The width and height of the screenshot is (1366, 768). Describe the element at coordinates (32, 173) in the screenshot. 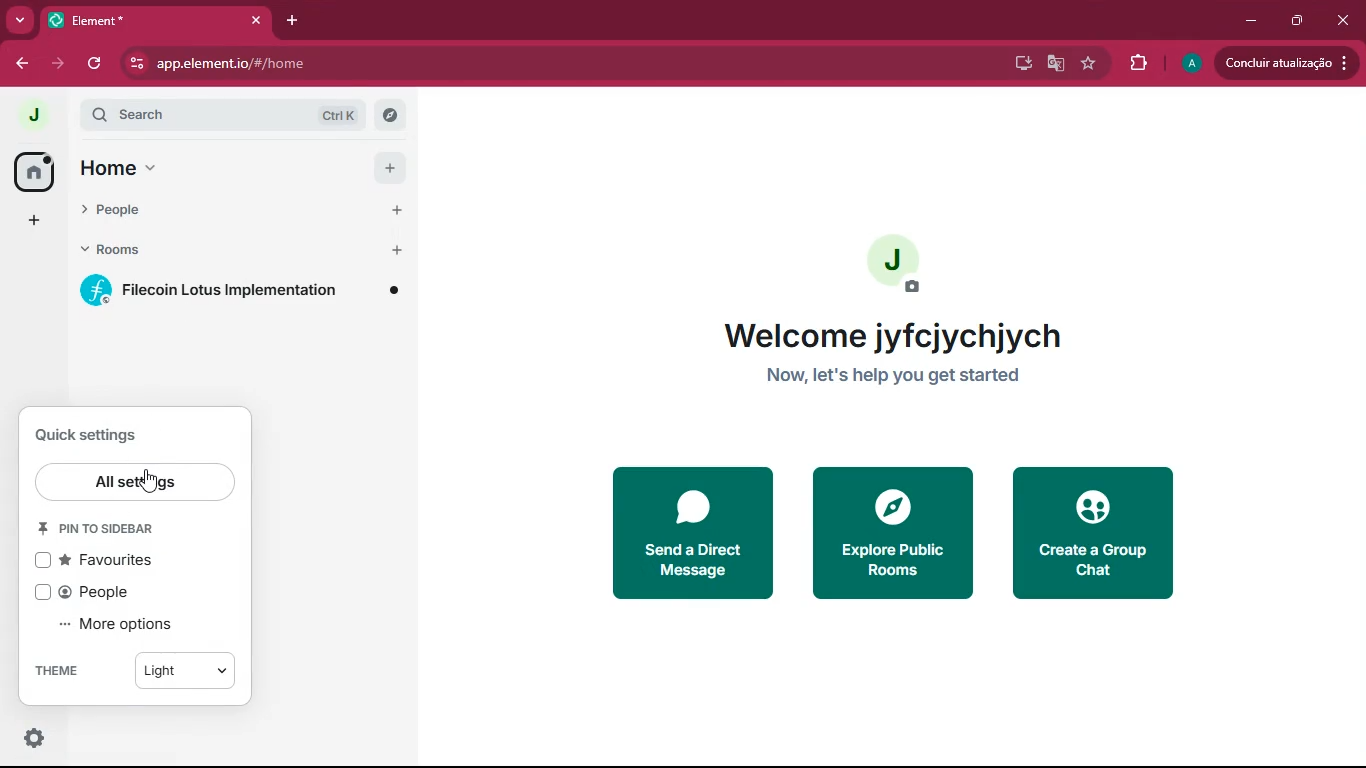

I see `home` at that location.